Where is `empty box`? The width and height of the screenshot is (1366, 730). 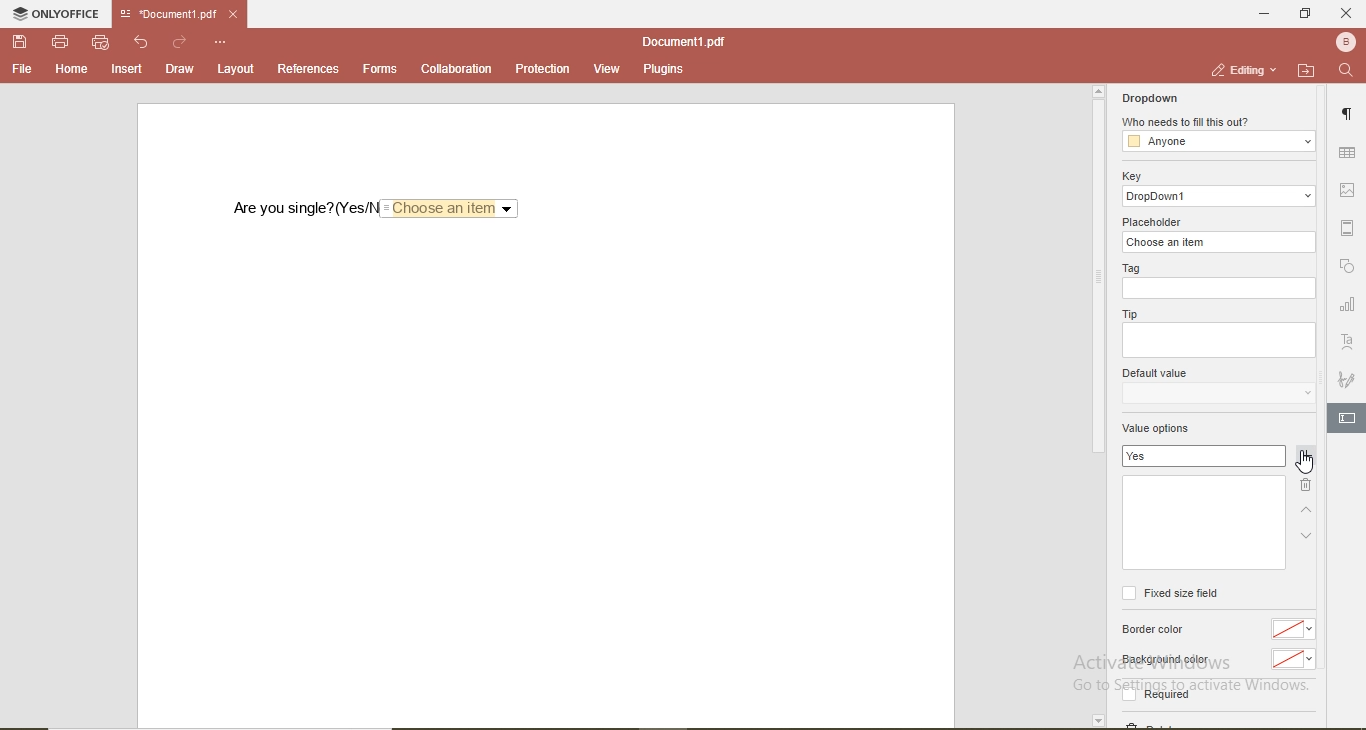 empty box is located at coordinates (1218, 290).